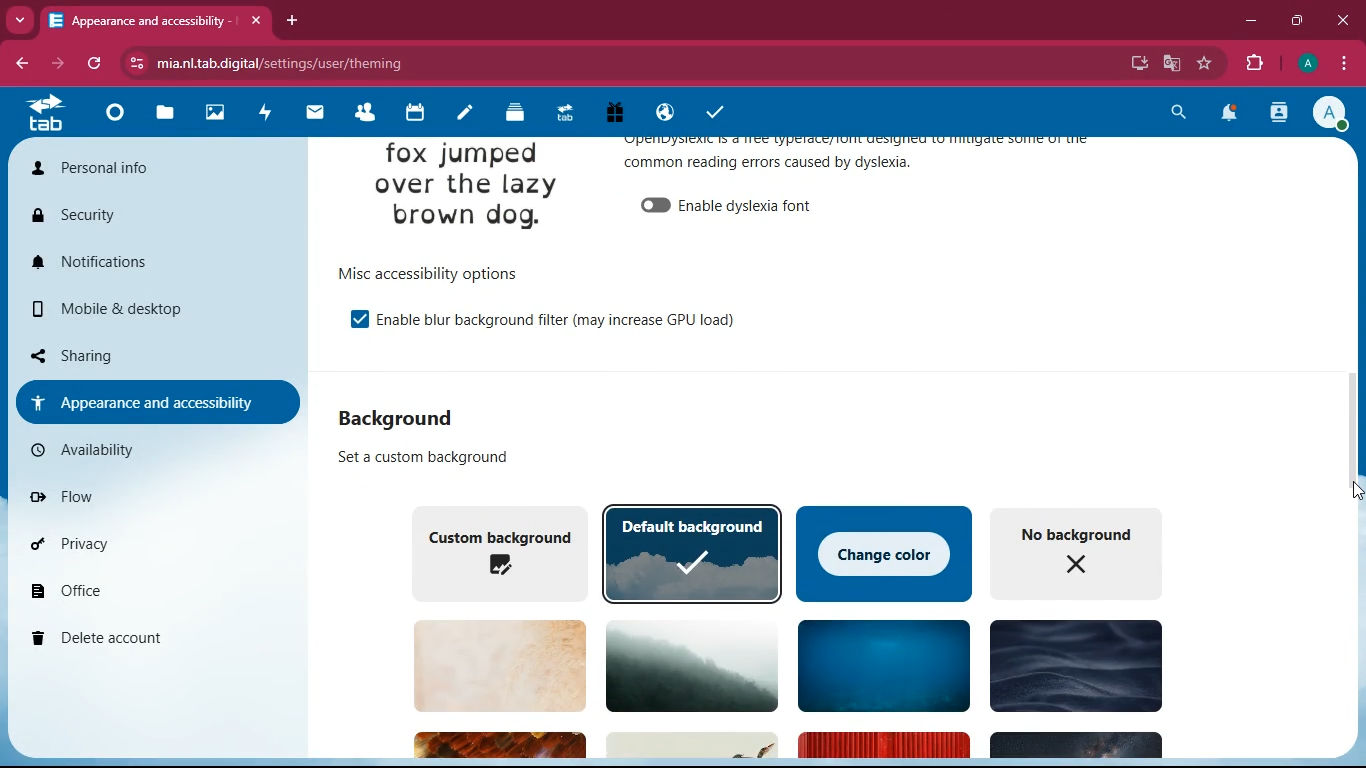 This screenshot has width=1366, height=768. I want to click on office, so click(152, 589).